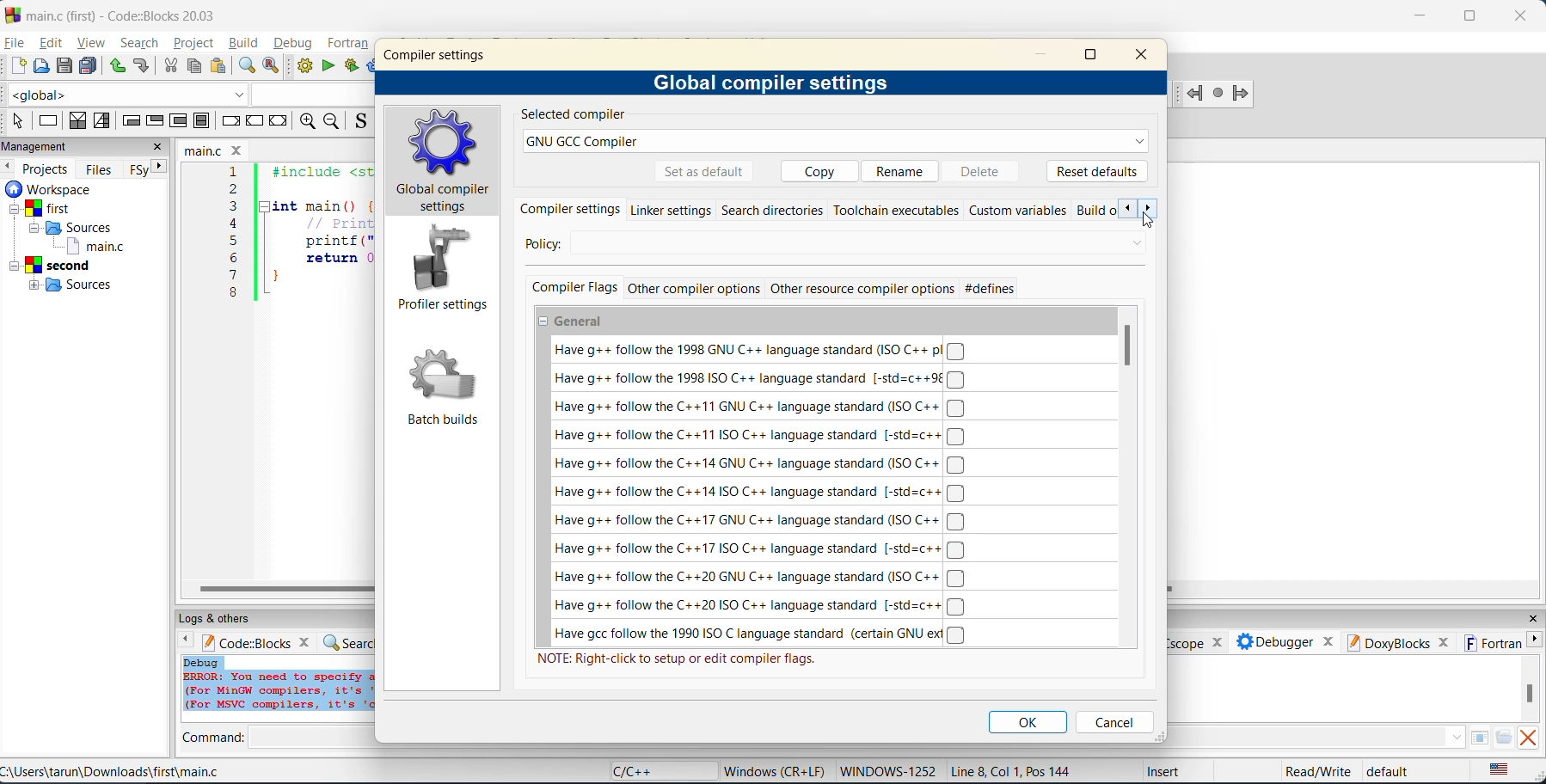 This screenshot has width=1546, height=784. Describe the element at coordinates (293, 44) in the screenshot. I see `debug` at that location.